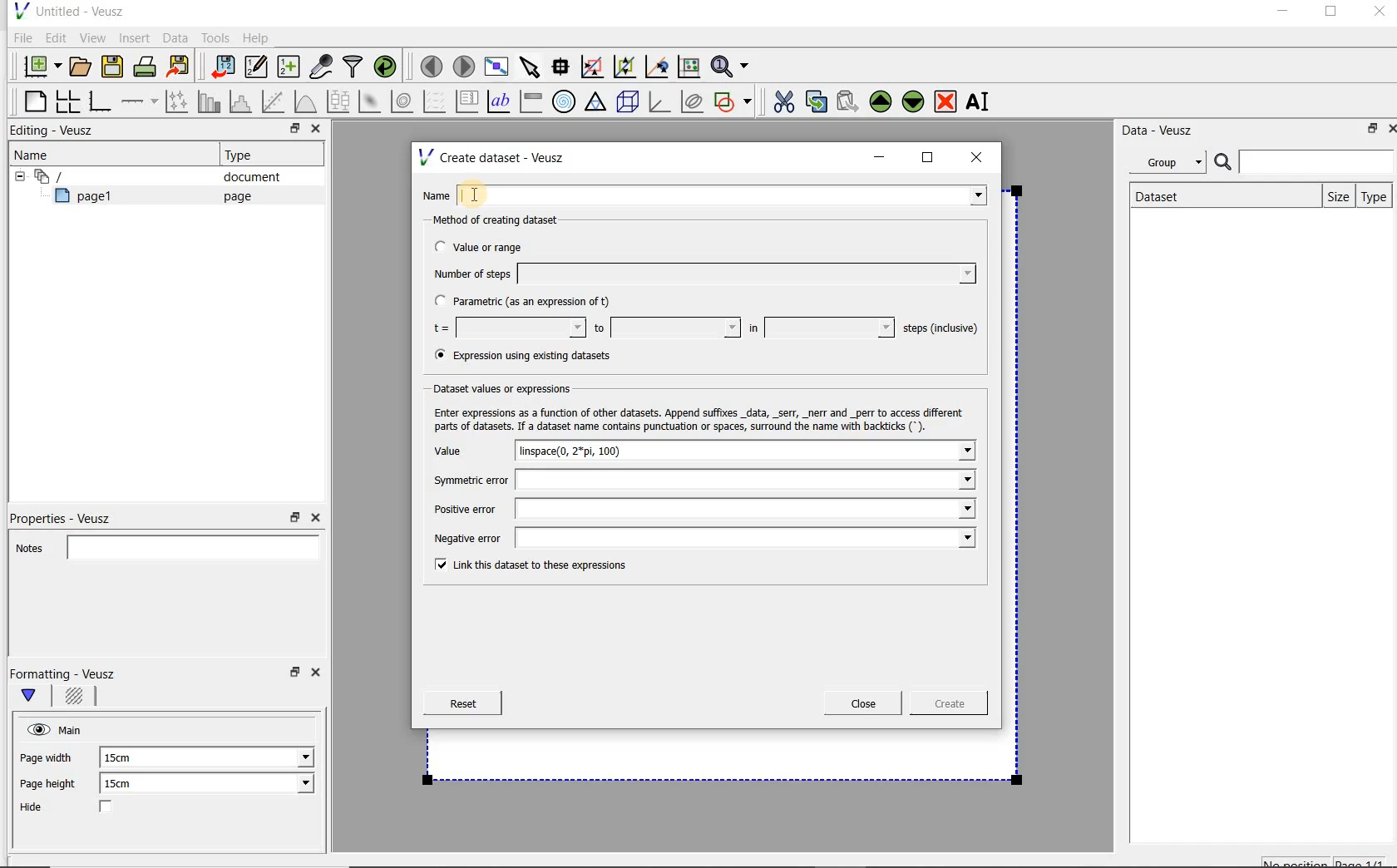 The width and height of the screenshot is (1397, 868). Describe the element at coordinates (36, 729) in the screenshot. I see `visible (click to hide, set Hide to true)` at that location.